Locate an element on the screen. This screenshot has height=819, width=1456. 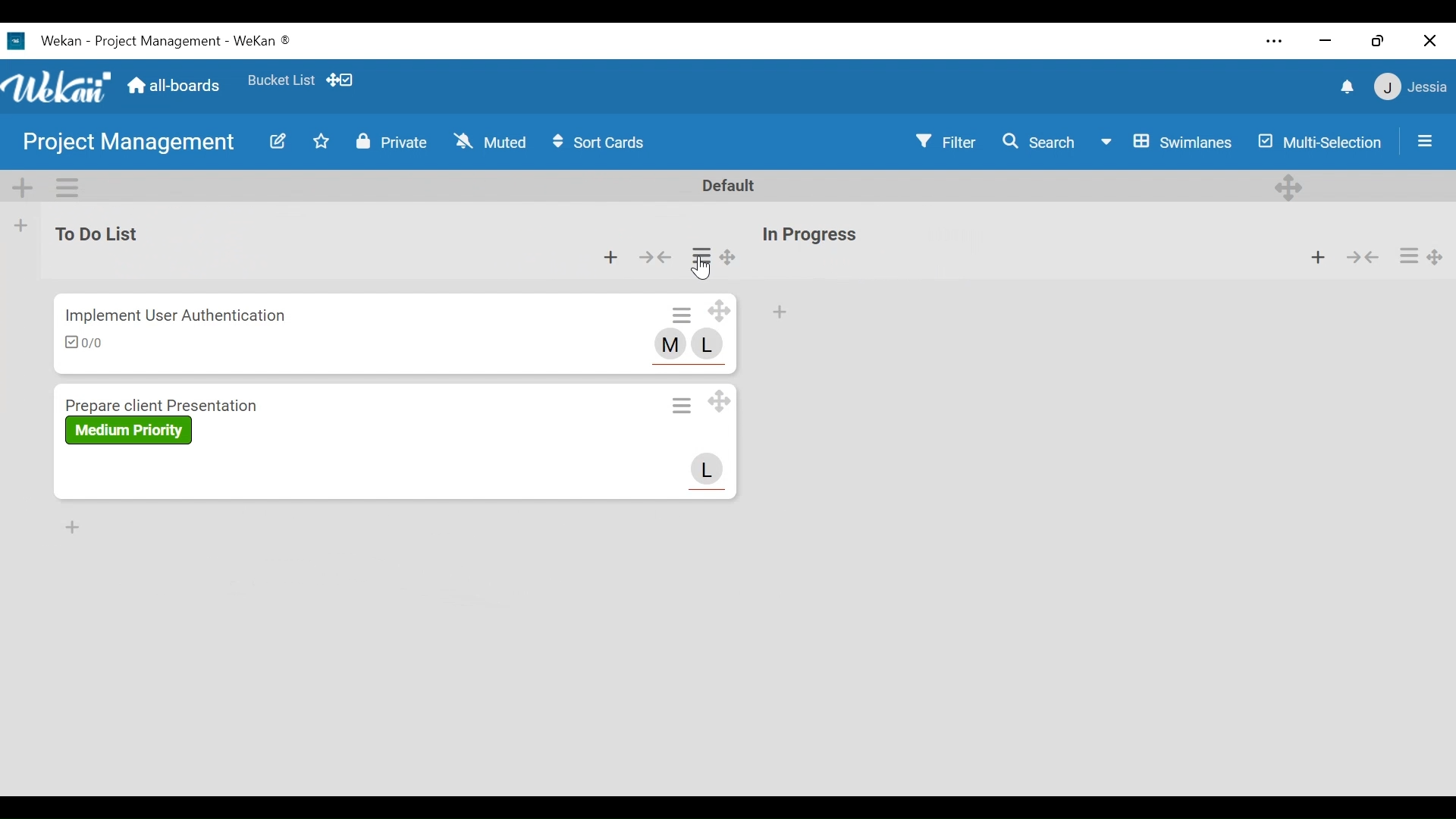
Add card to the top of list is located at coordinates (1318, 257).